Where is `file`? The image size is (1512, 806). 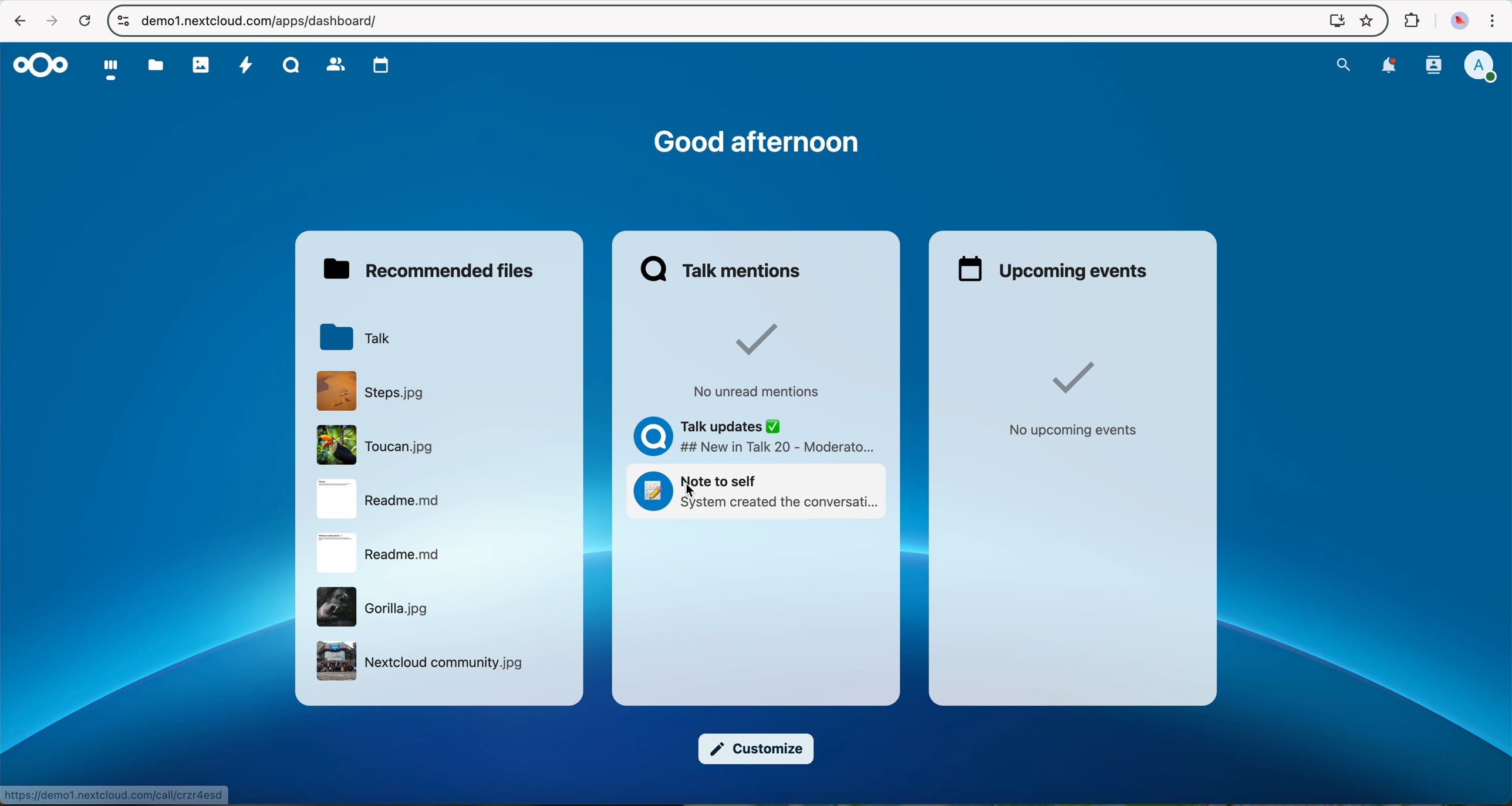 file is located at coordinates (380, 499).